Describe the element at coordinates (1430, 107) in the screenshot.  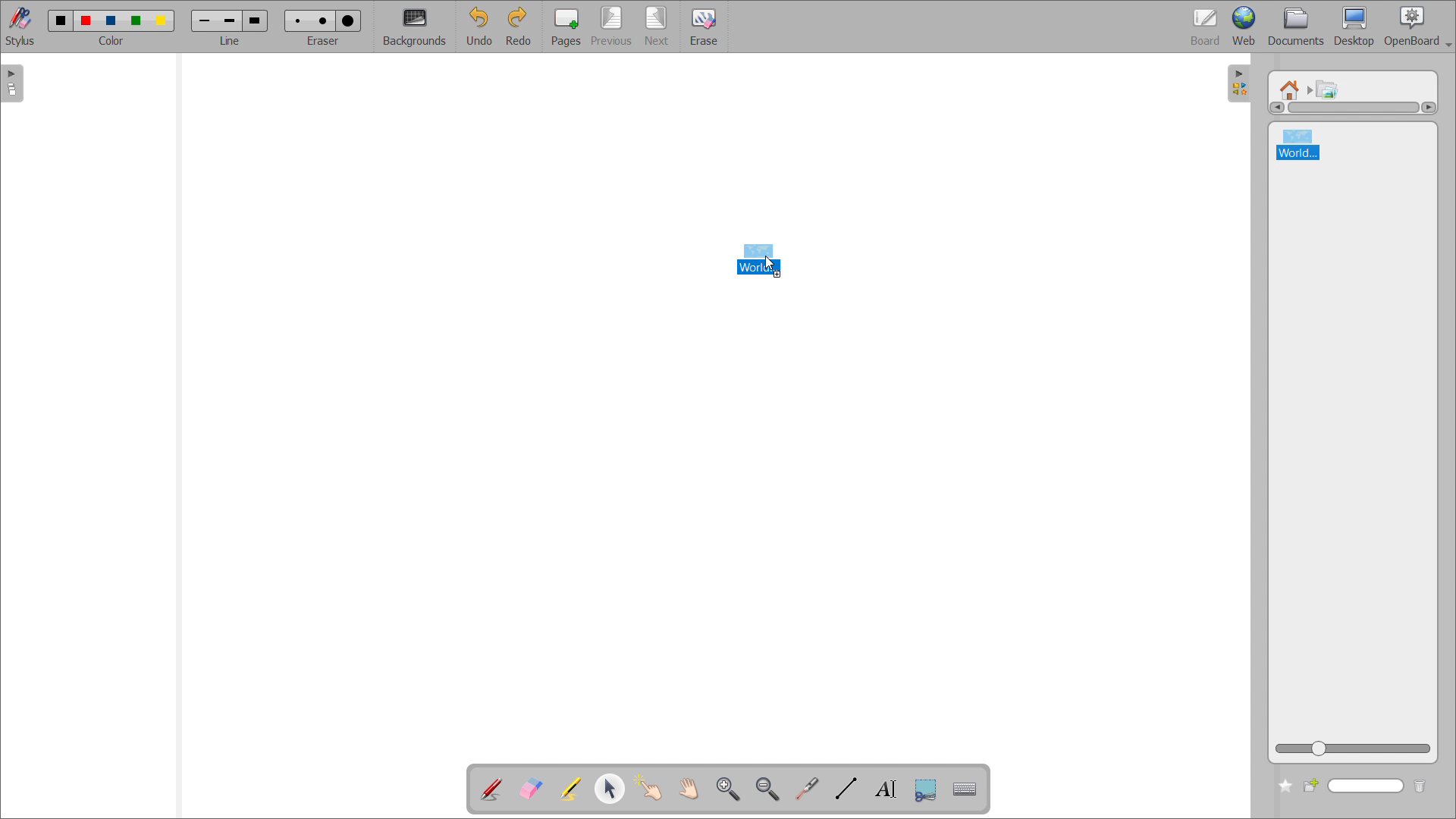
I see `scroll right` at that location.